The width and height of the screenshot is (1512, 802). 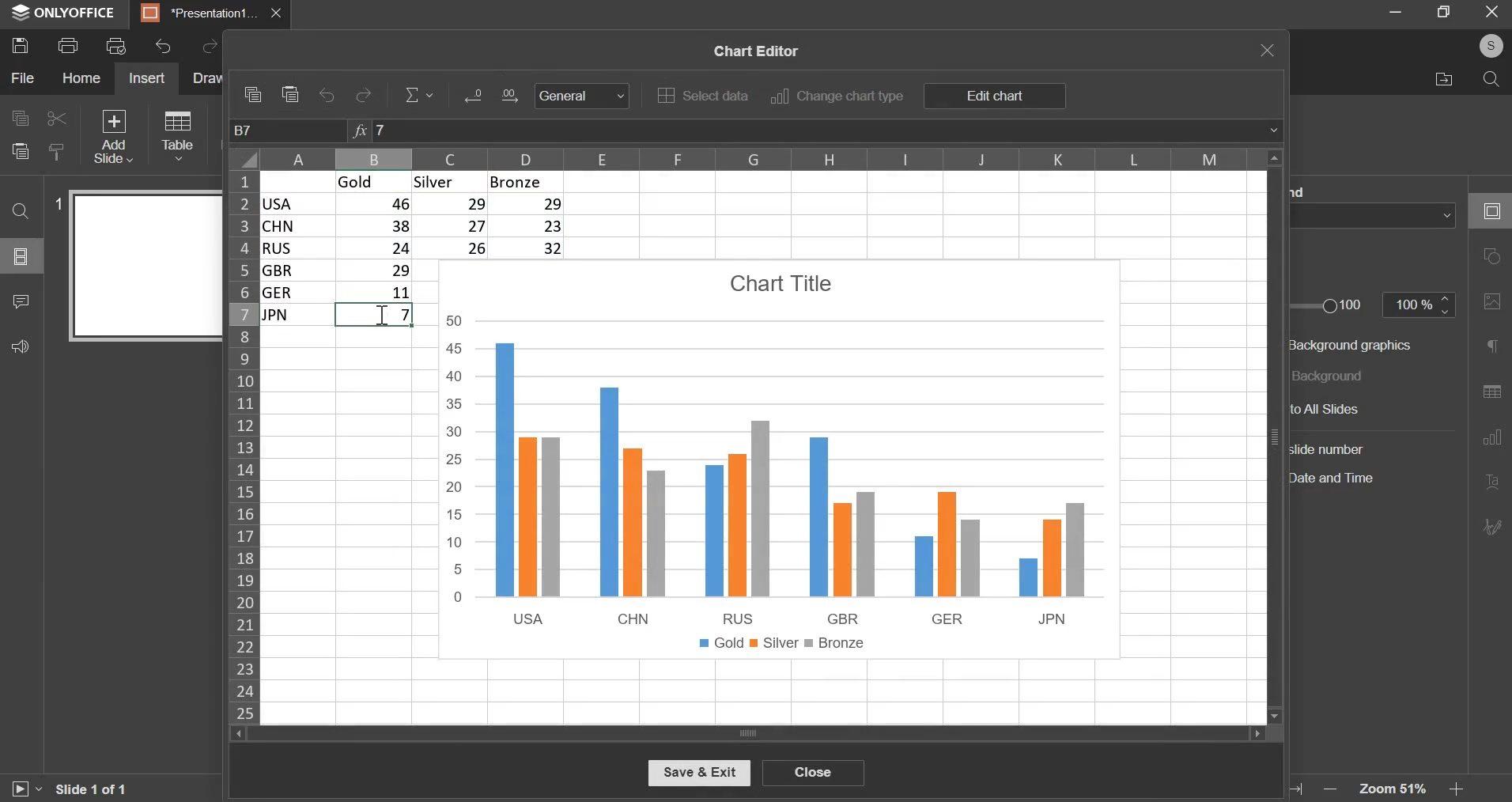 I want to click on columns, so click(x=759, y=157).